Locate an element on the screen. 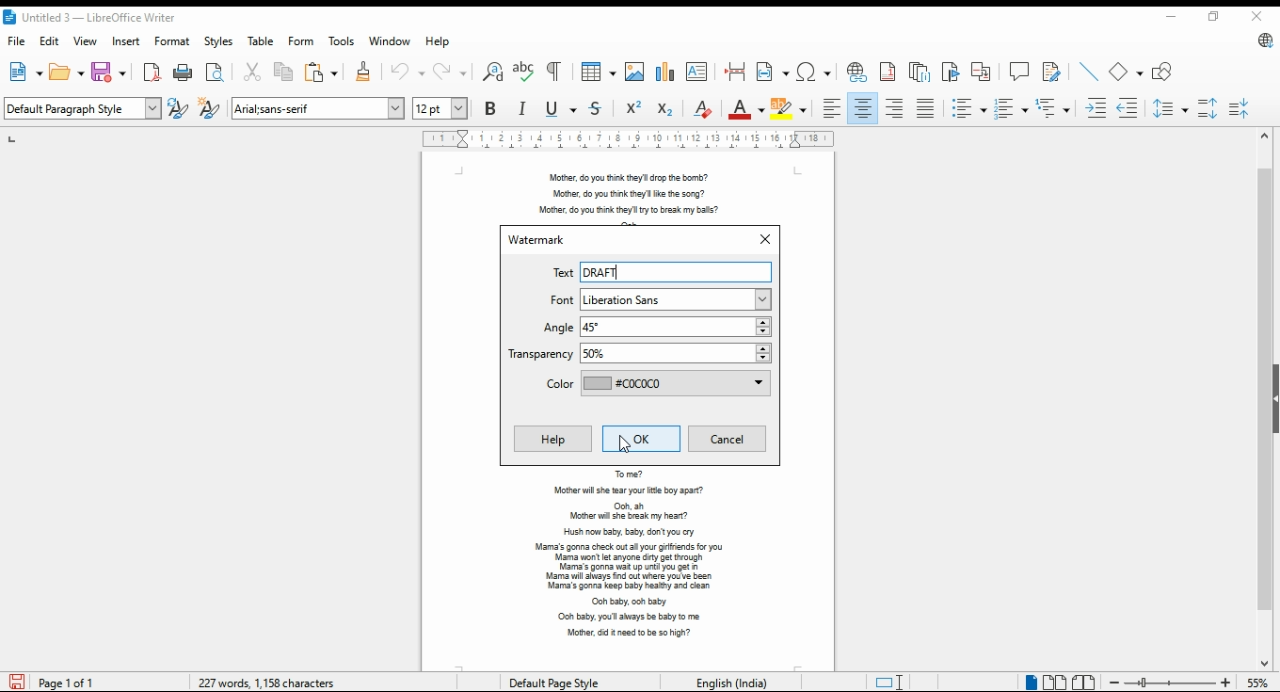  tools is located at coordinates (344, 41).